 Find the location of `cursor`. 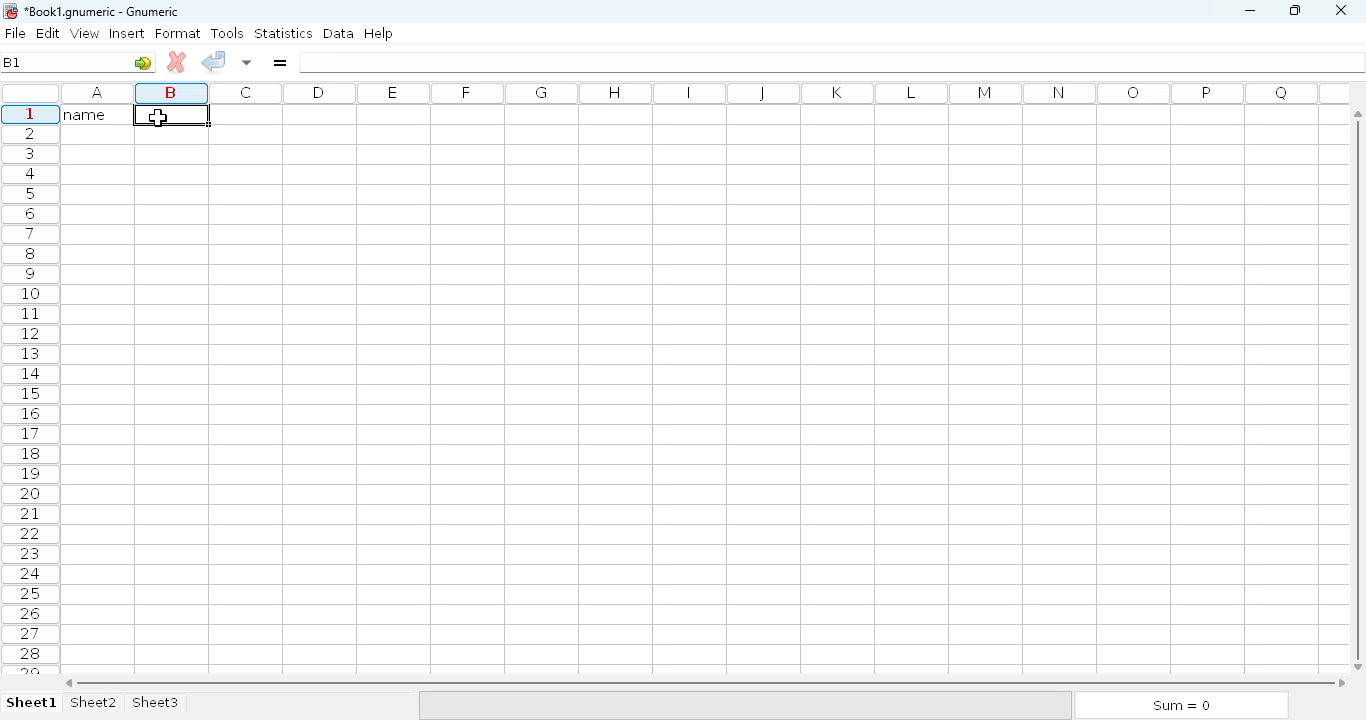

cursor is located at coordinates (159, 117).